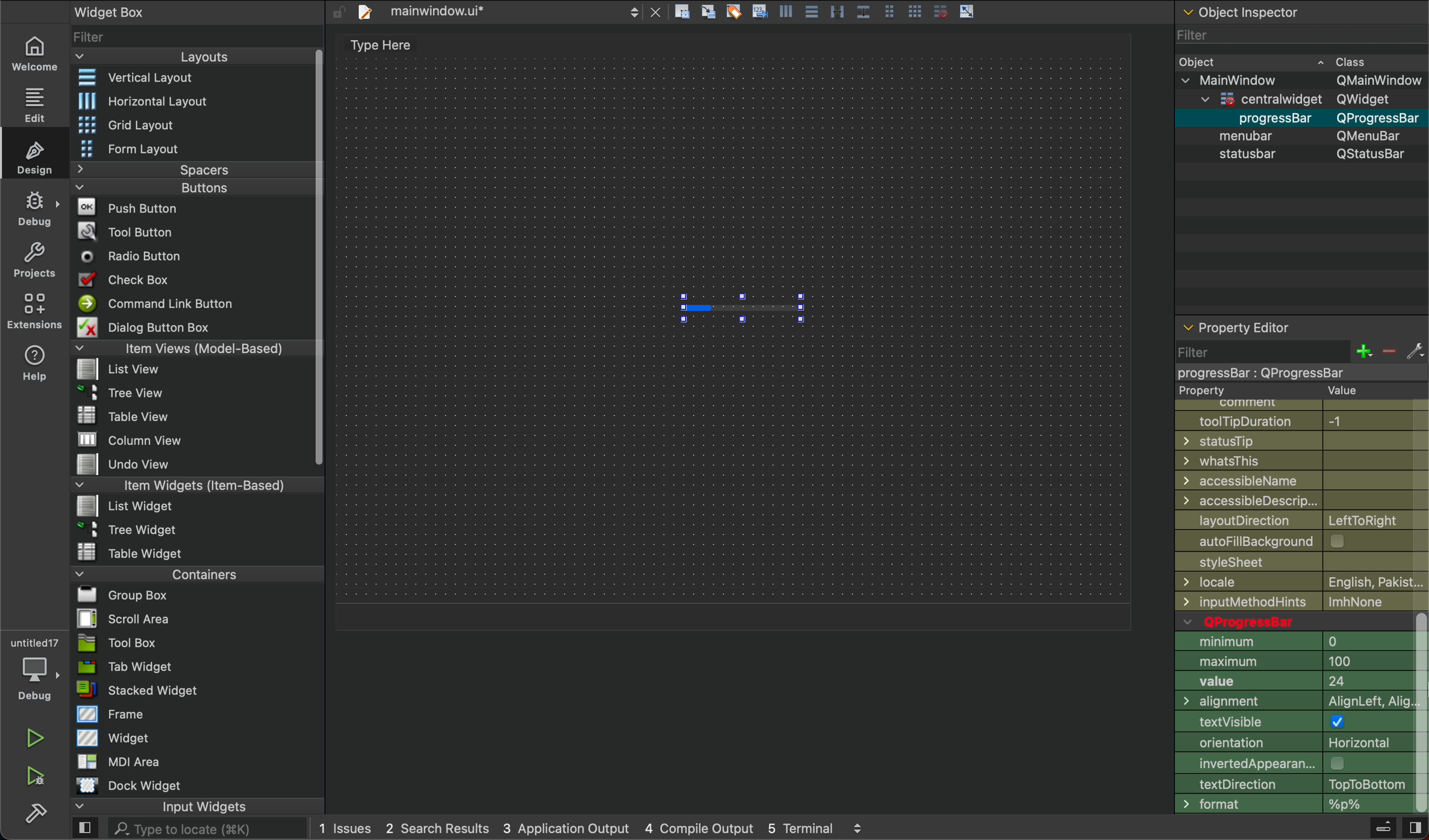  Describe the element at coordinates (1303, 461) in the screenshot. I see `whatsthis` at that location.